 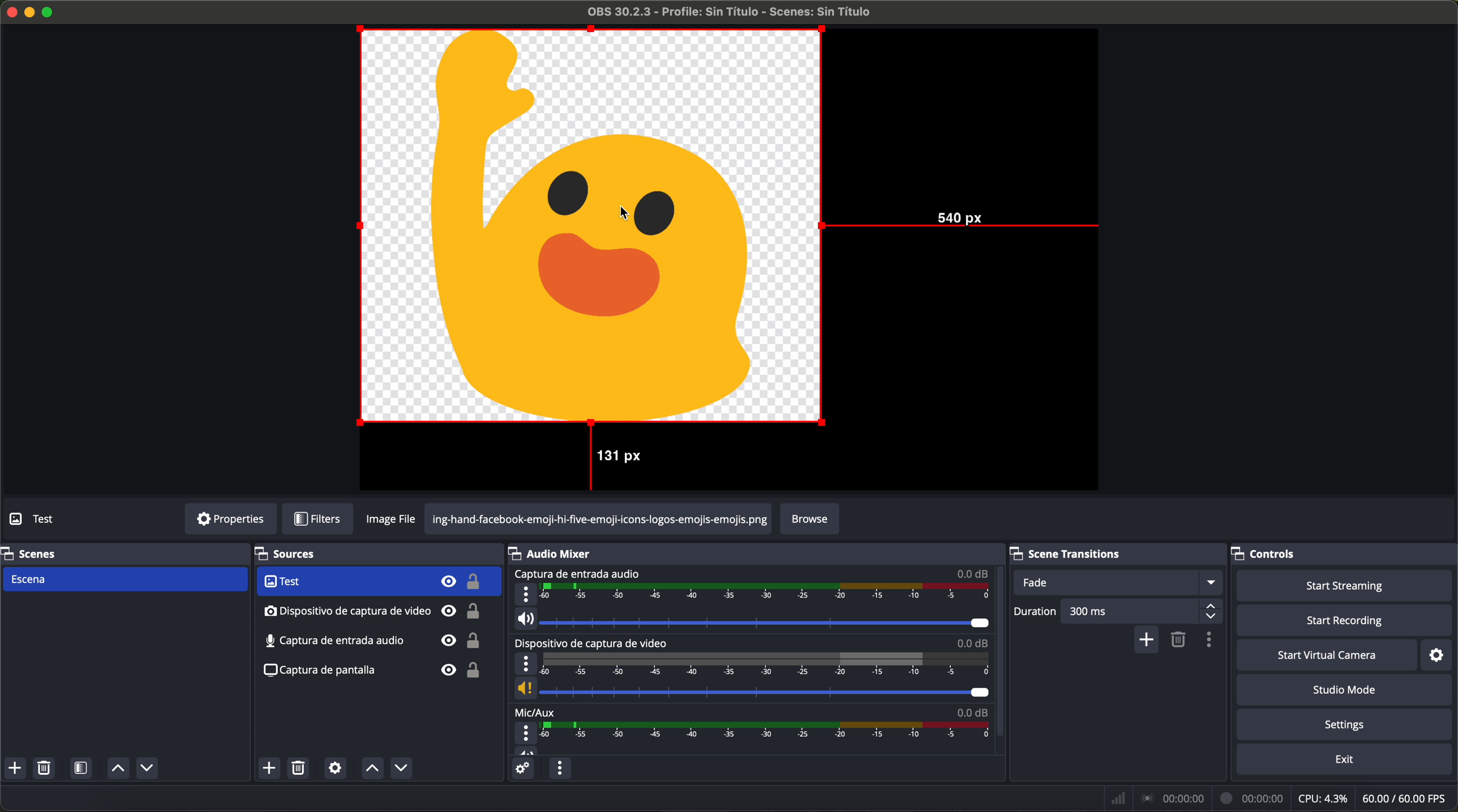 I want to click on duration, so click(x=1036, y=613).